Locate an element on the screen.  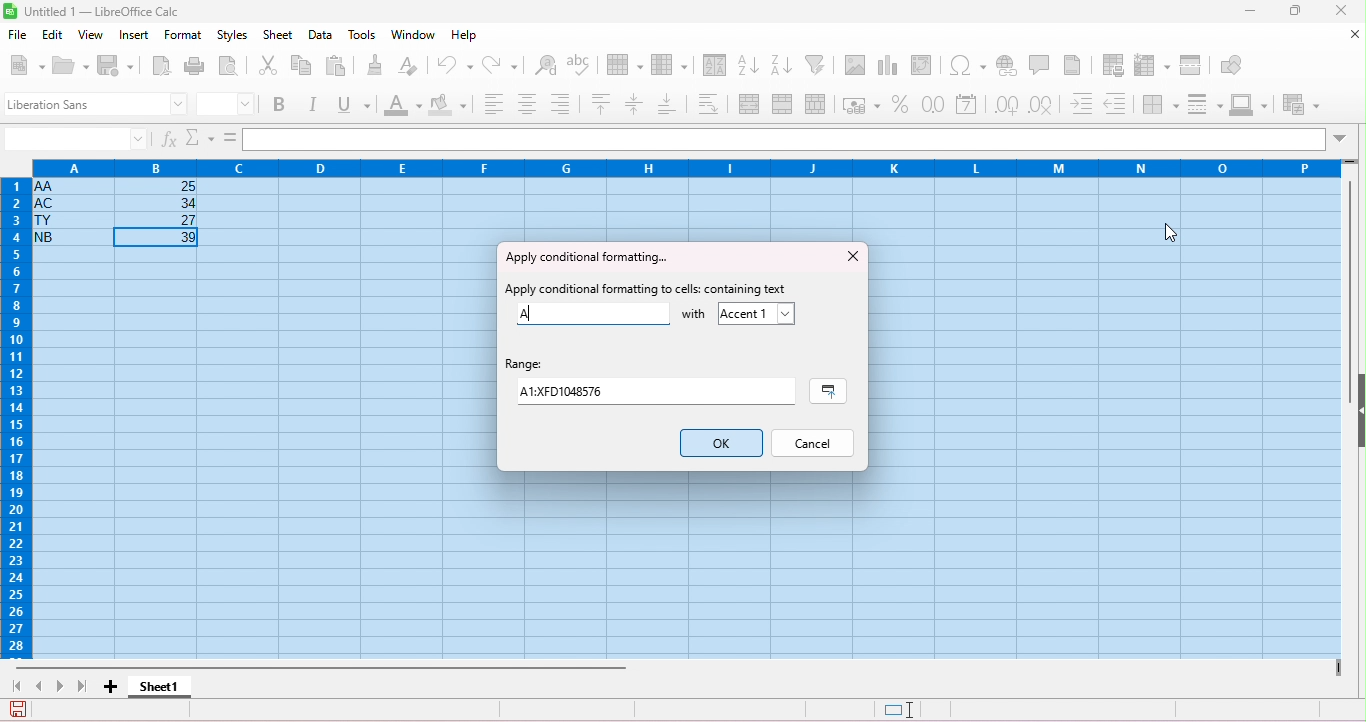
increase indent is located at coordinates (1083, 103).